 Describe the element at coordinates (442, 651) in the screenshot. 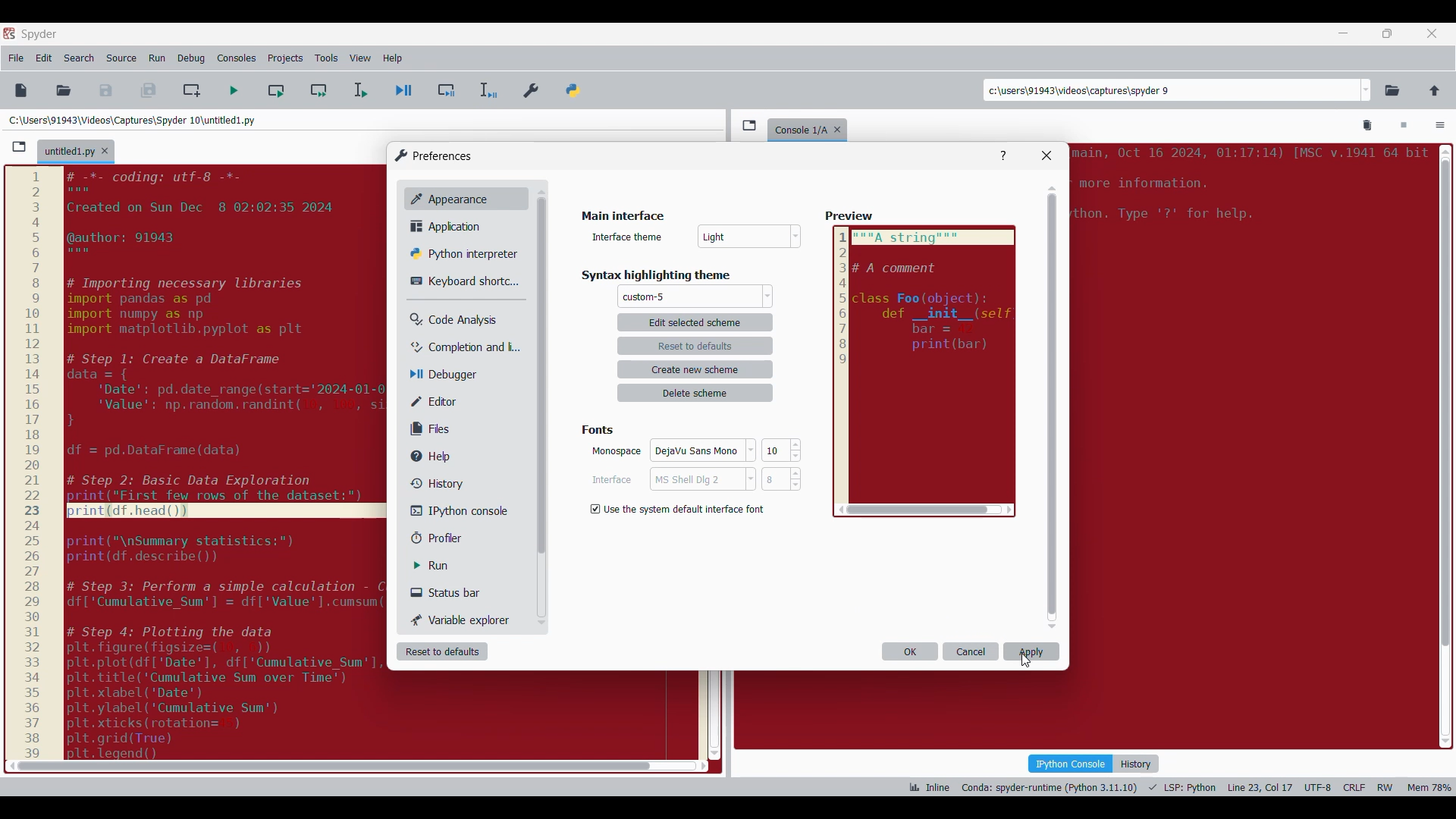

I see `Reset to defaults` at that location.